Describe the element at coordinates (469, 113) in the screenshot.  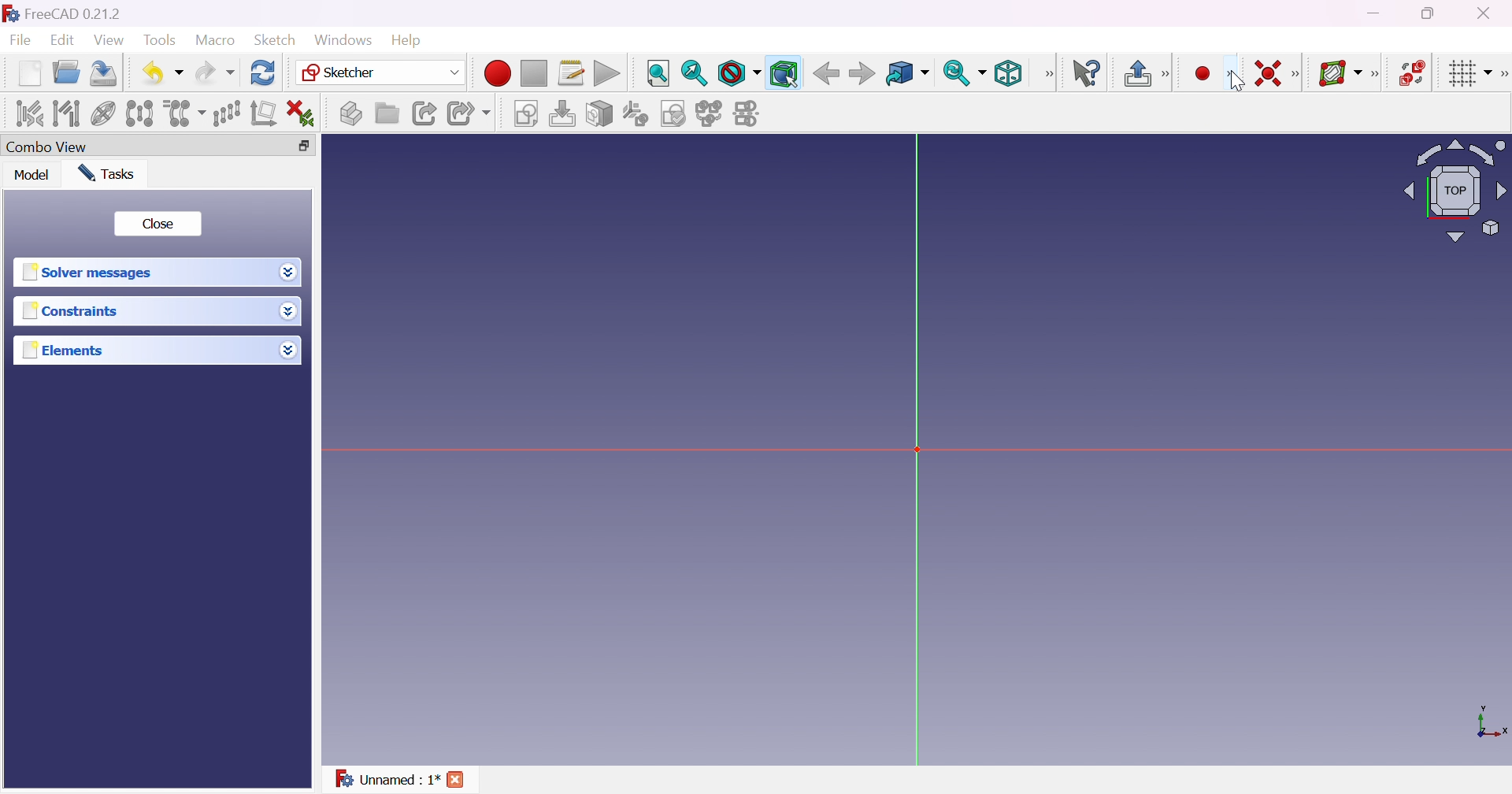
I see `Make sub-link` at that location.